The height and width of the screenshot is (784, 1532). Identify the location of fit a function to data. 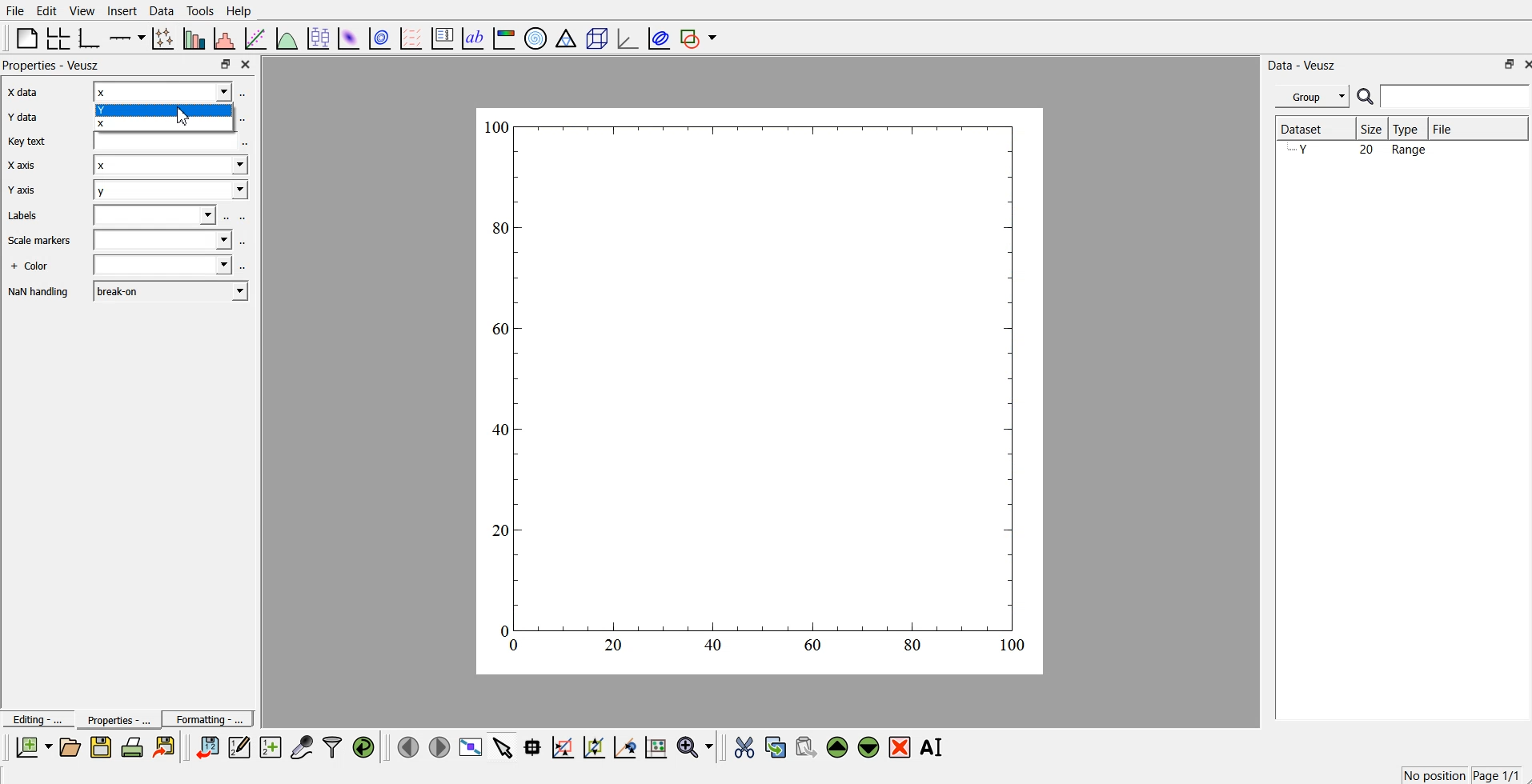
(256, 38).